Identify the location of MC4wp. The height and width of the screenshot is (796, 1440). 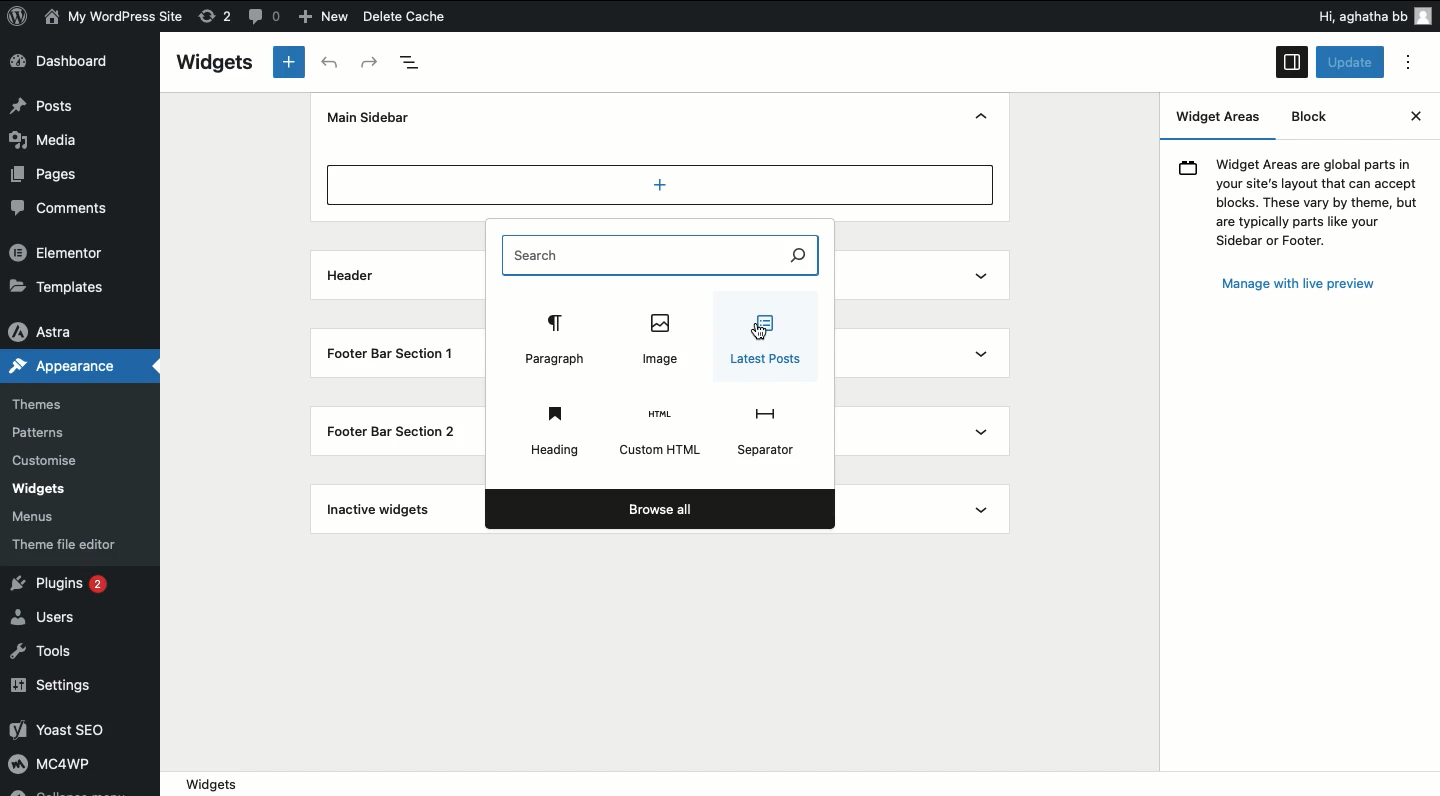
(64, 767).